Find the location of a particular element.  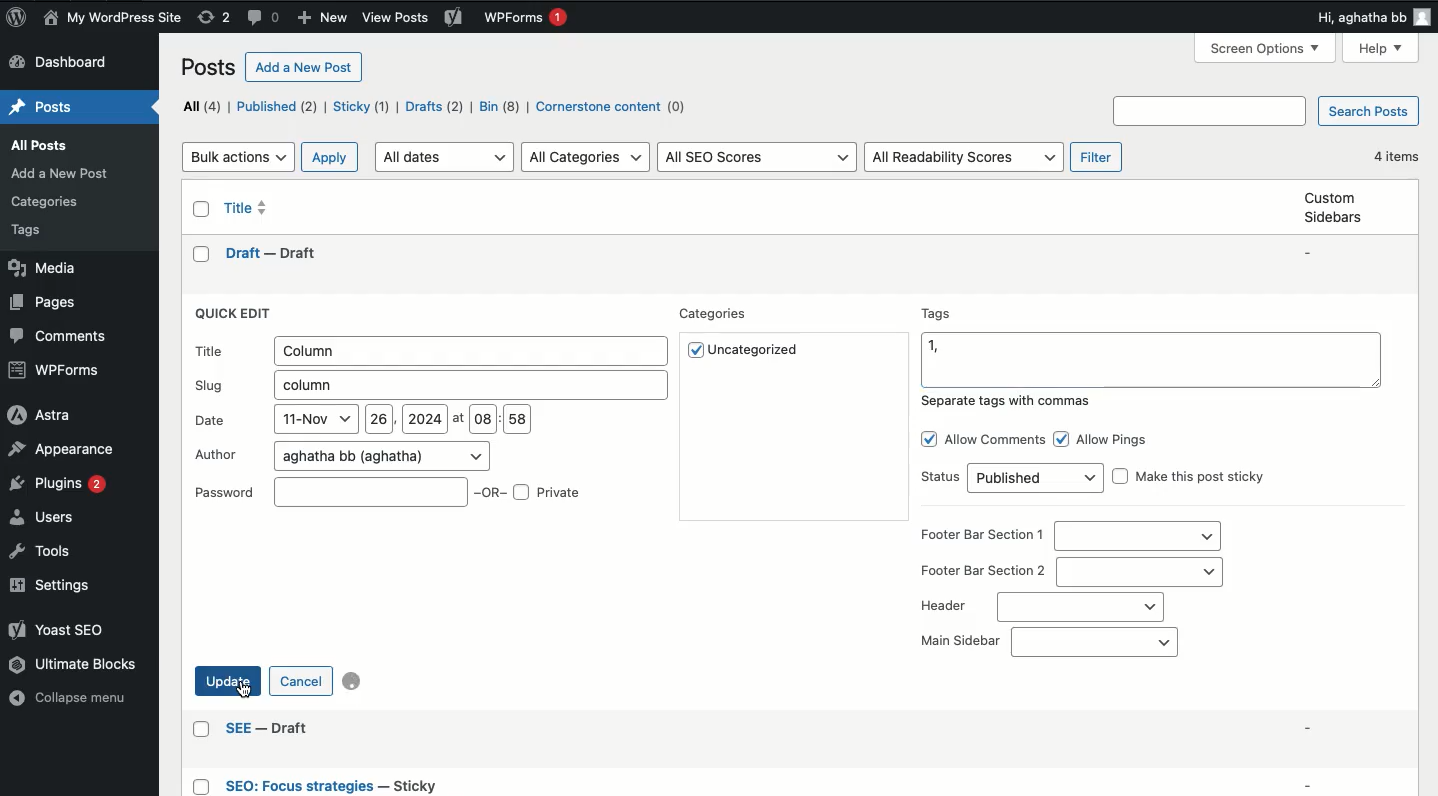

 is located at coordinates (44, 204).